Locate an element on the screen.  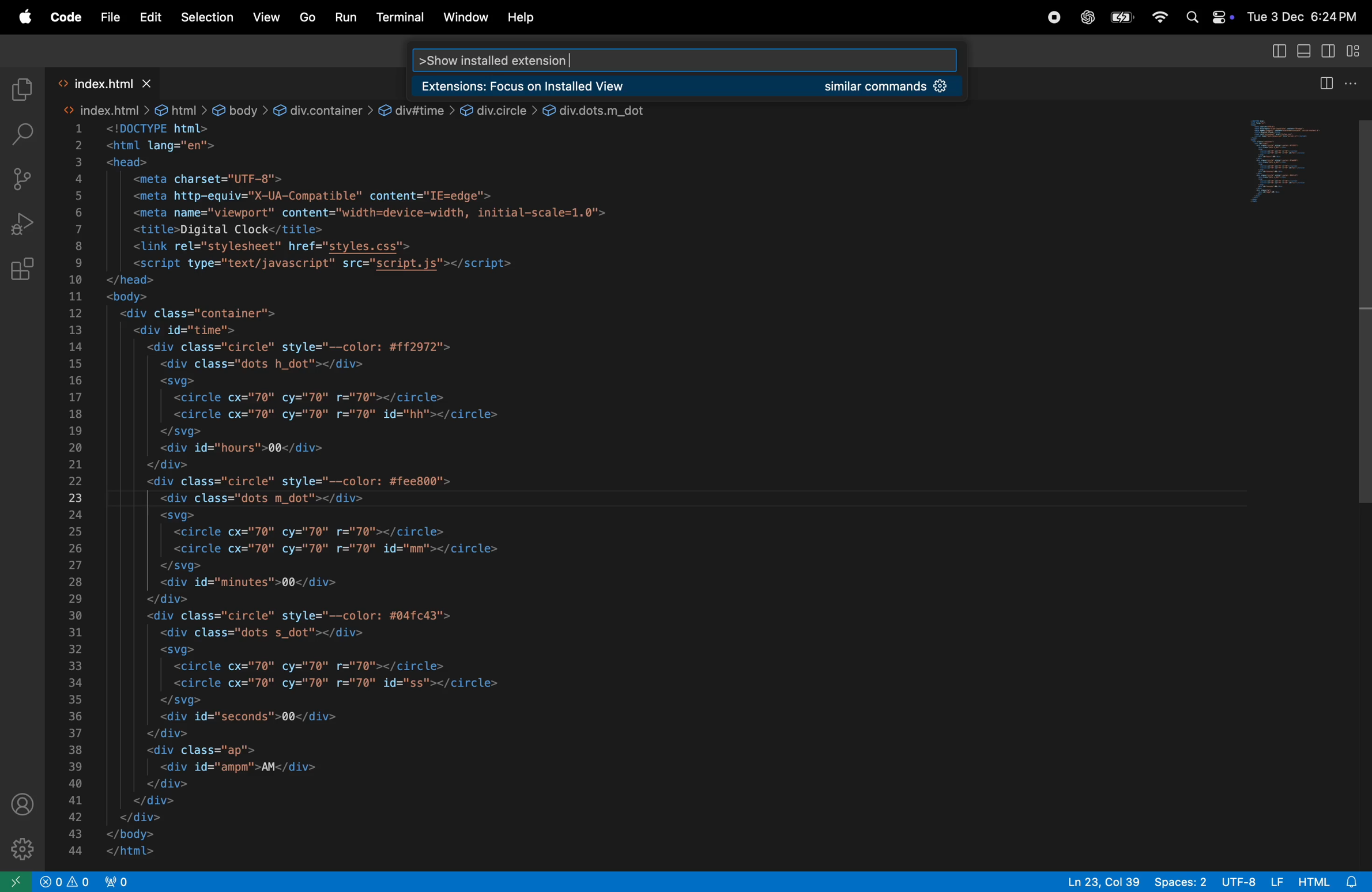
preview window is located at coordinates (1273, 162).